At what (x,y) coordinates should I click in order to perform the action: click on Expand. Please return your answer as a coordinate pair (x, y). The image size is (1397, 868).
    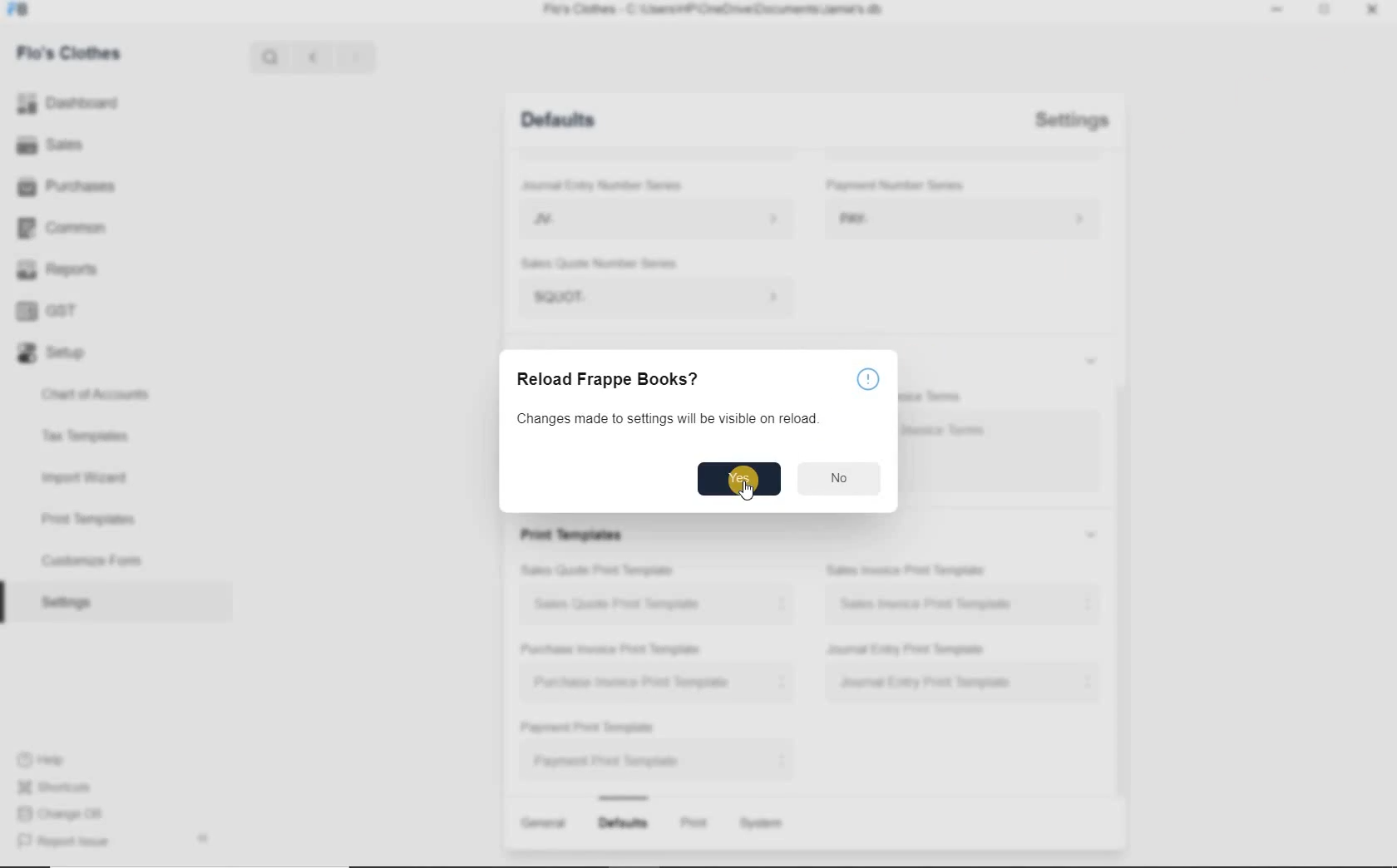
    Looking at the image, I should click on (1094, 534).